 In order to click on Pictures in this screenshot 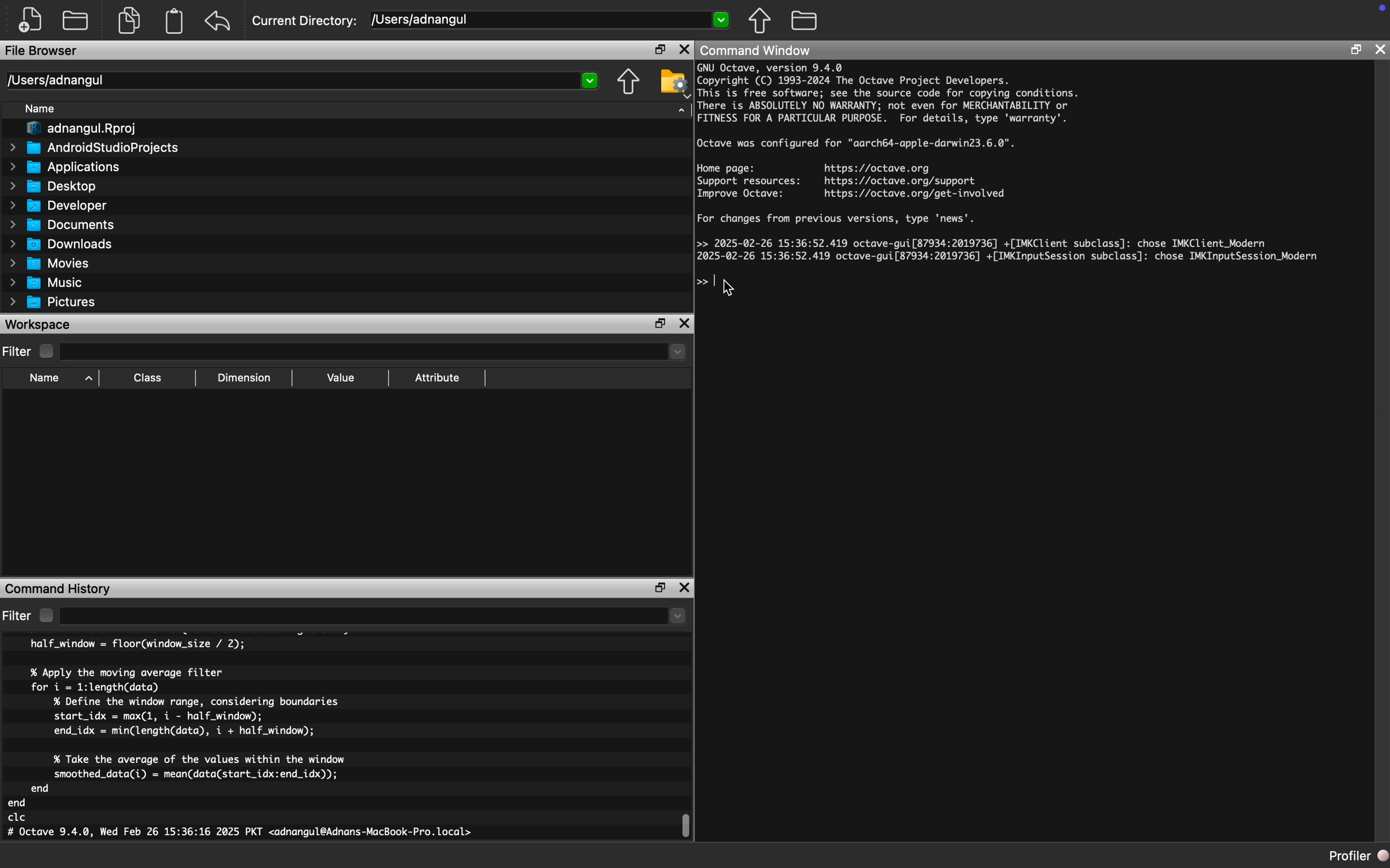, I will do `click(55, 303)`.